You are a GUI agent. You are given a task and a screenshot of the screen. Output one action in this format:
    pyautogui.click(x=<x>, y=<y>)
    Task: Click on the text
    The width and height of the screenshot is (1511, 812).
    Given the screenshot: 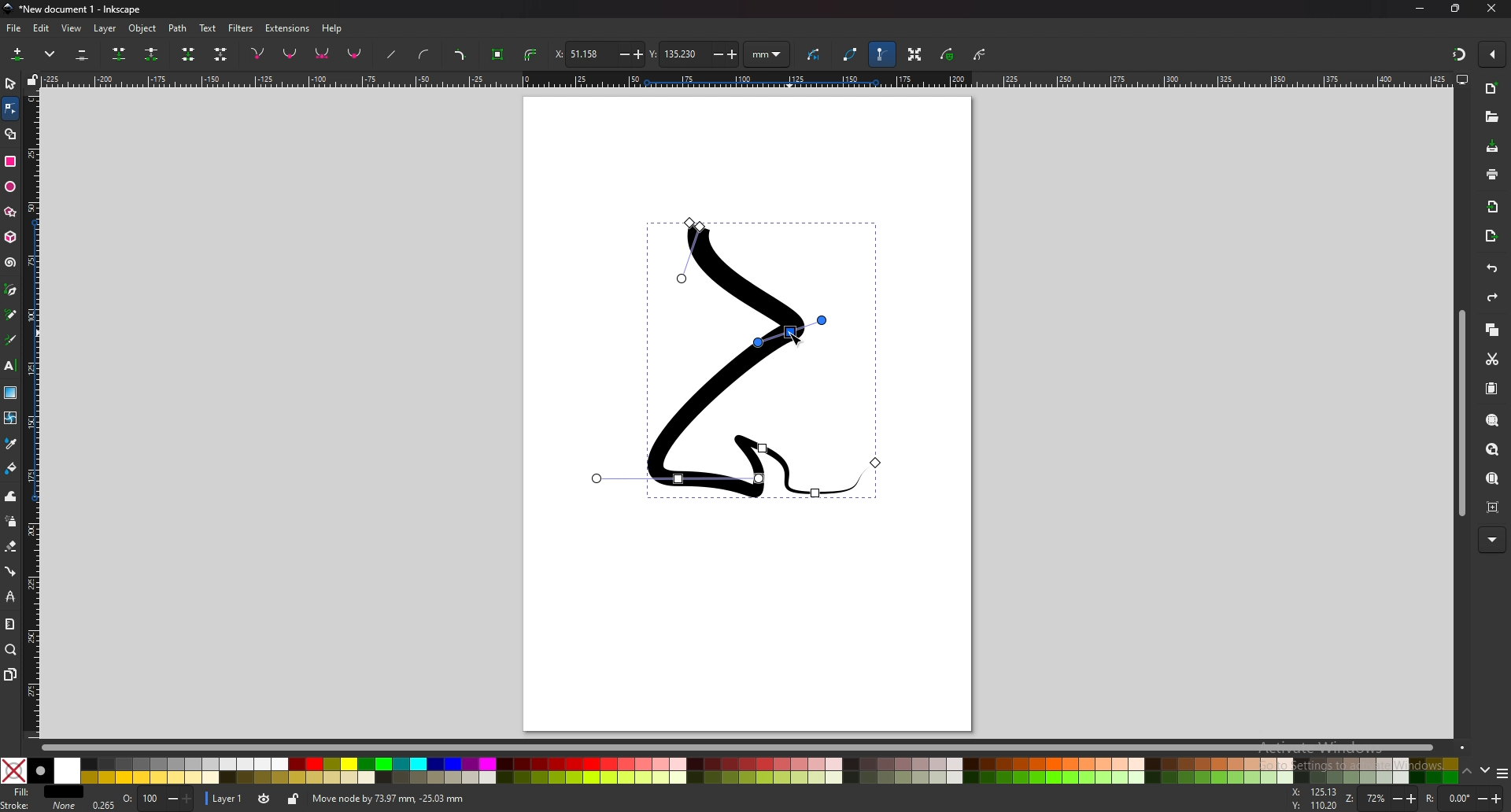 What is the action you would take?
    pyautogui.click(x=208, y=28)
    